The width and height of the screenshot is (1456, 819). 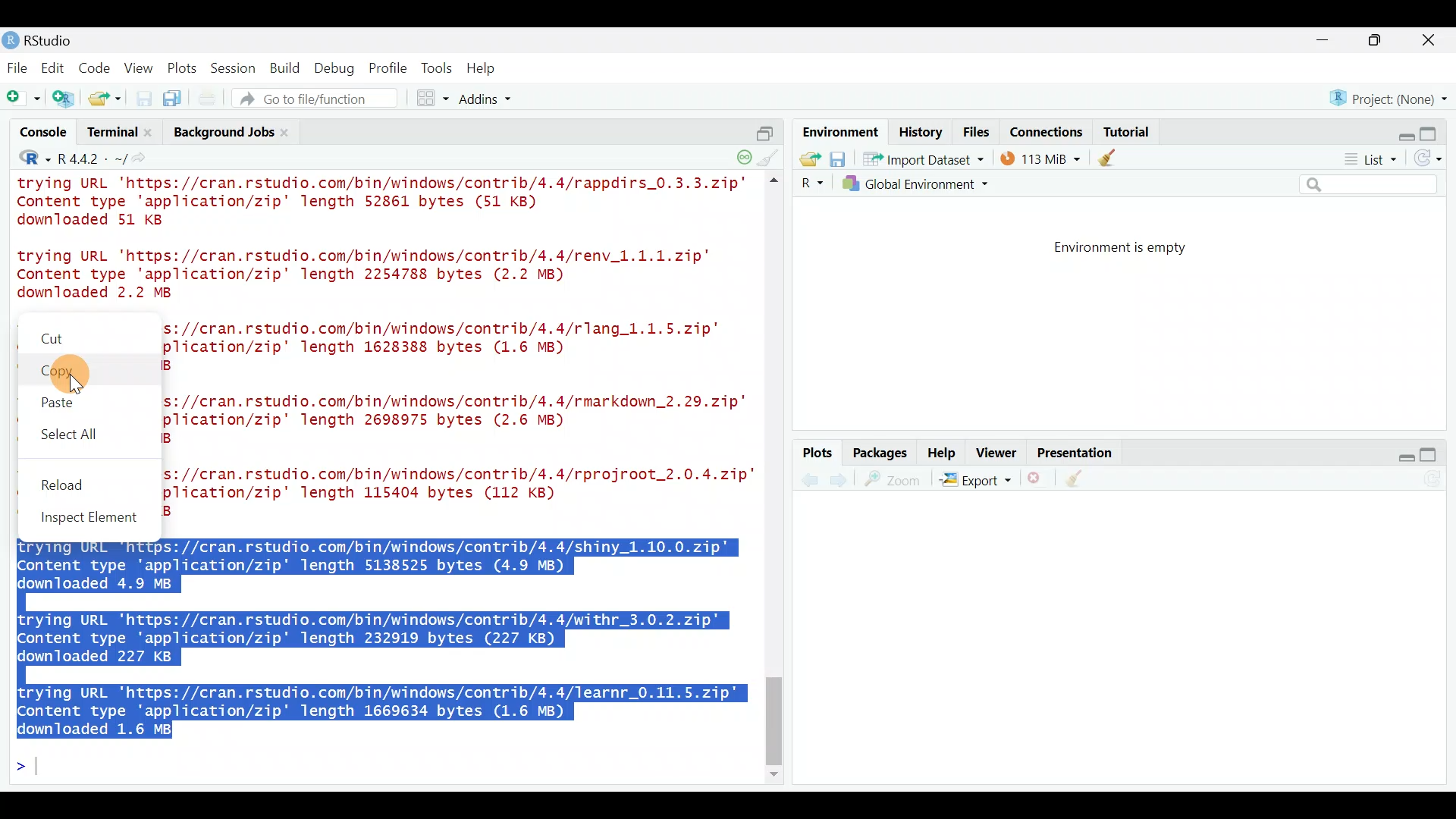 I want to click on Environment, so click(x=838, y=131).